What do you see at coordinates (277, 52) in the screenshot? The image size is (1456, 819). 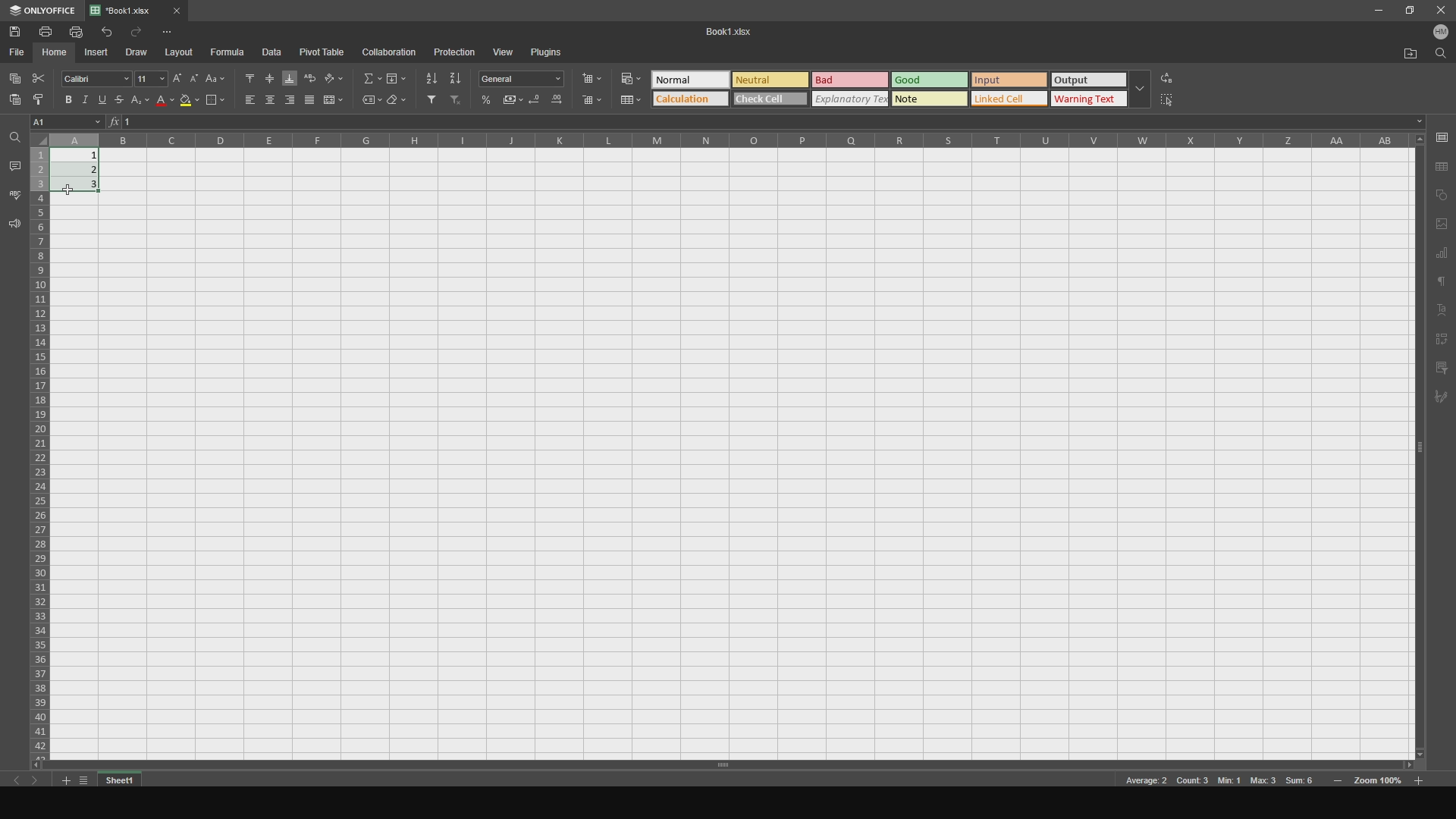 I see `data` at bounding box center [277, 52].